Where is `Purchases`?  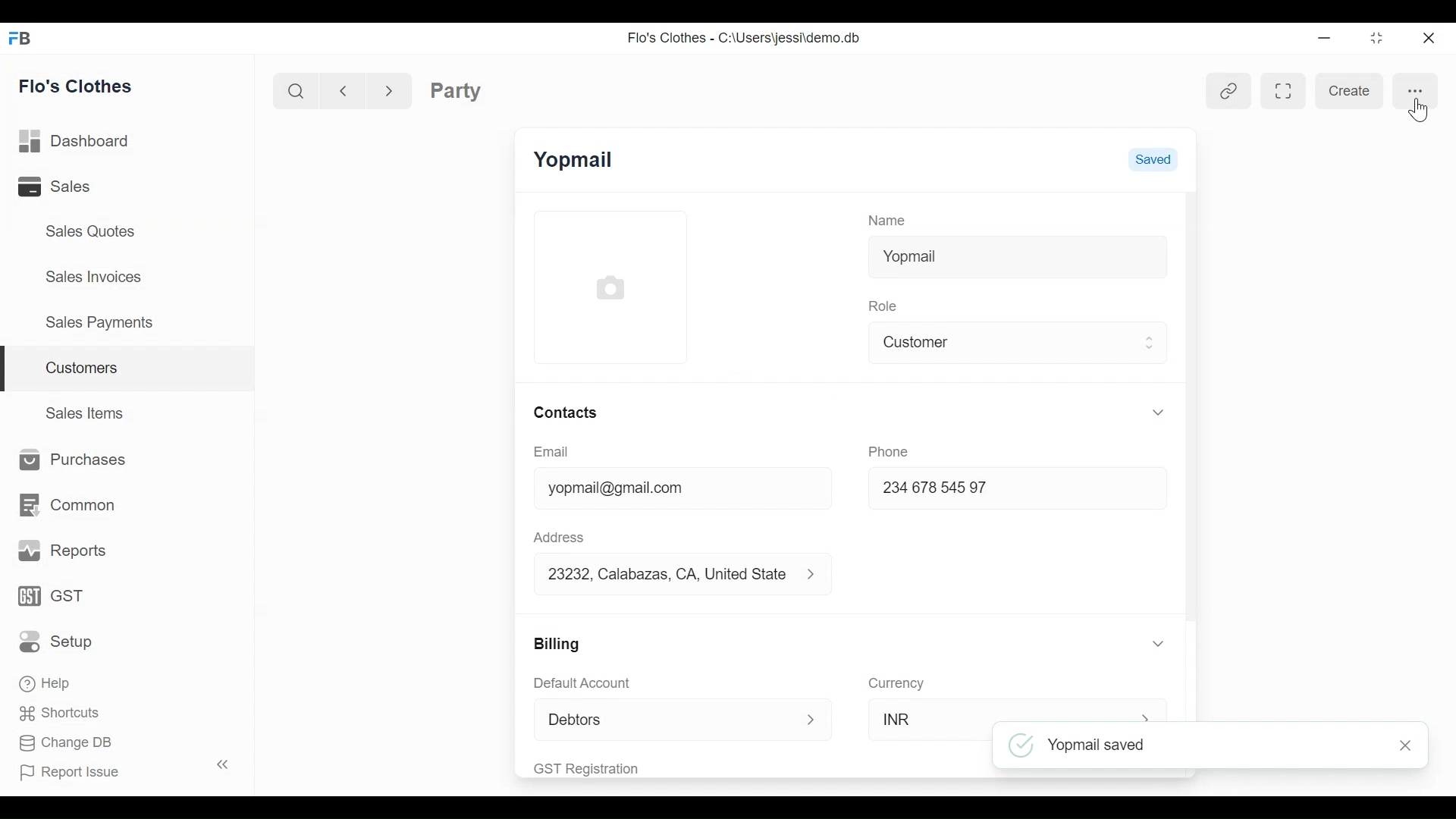 Purchases is located at coordinates (68, 460).